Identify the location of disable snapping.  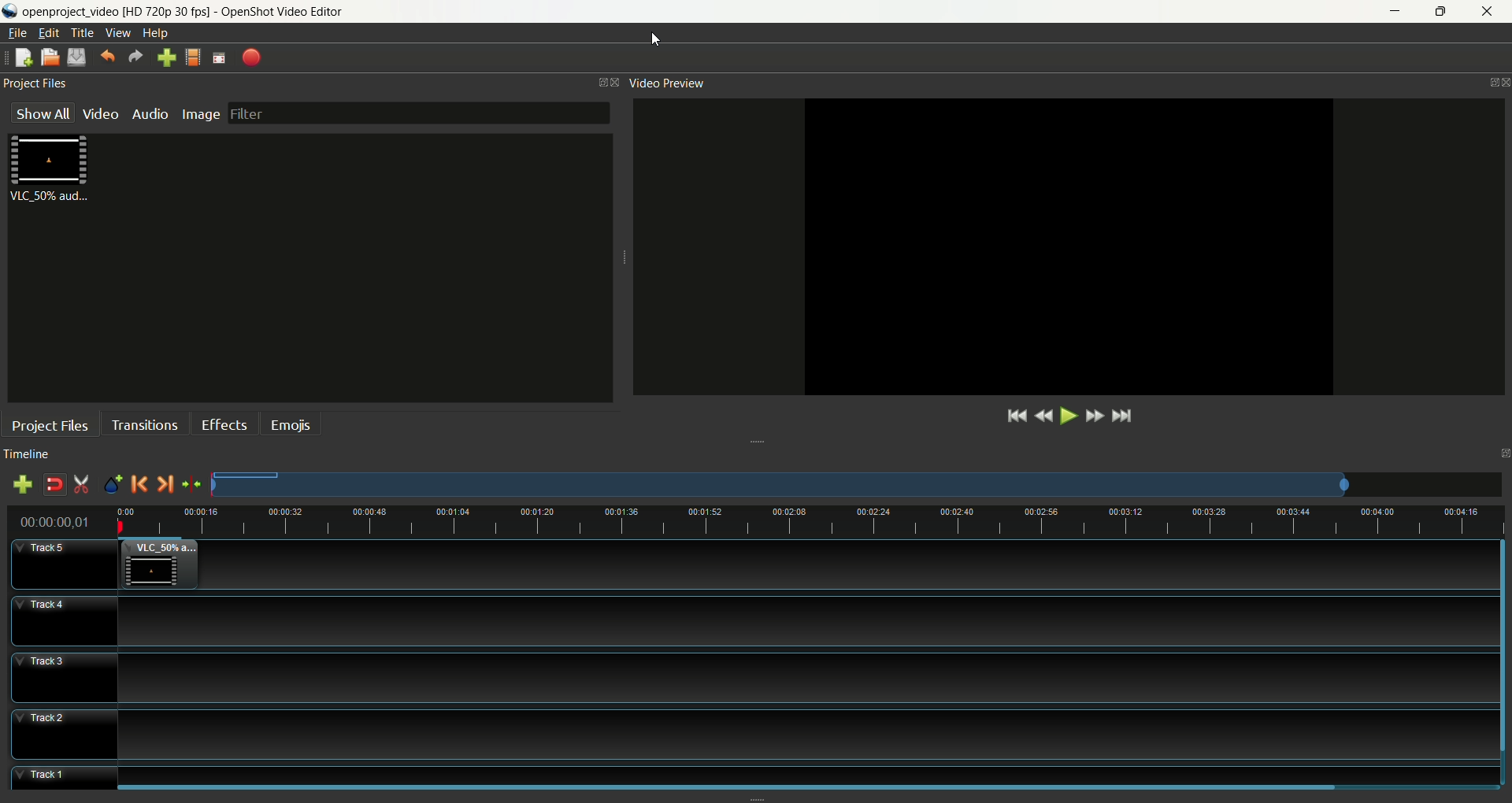
(53, 483).